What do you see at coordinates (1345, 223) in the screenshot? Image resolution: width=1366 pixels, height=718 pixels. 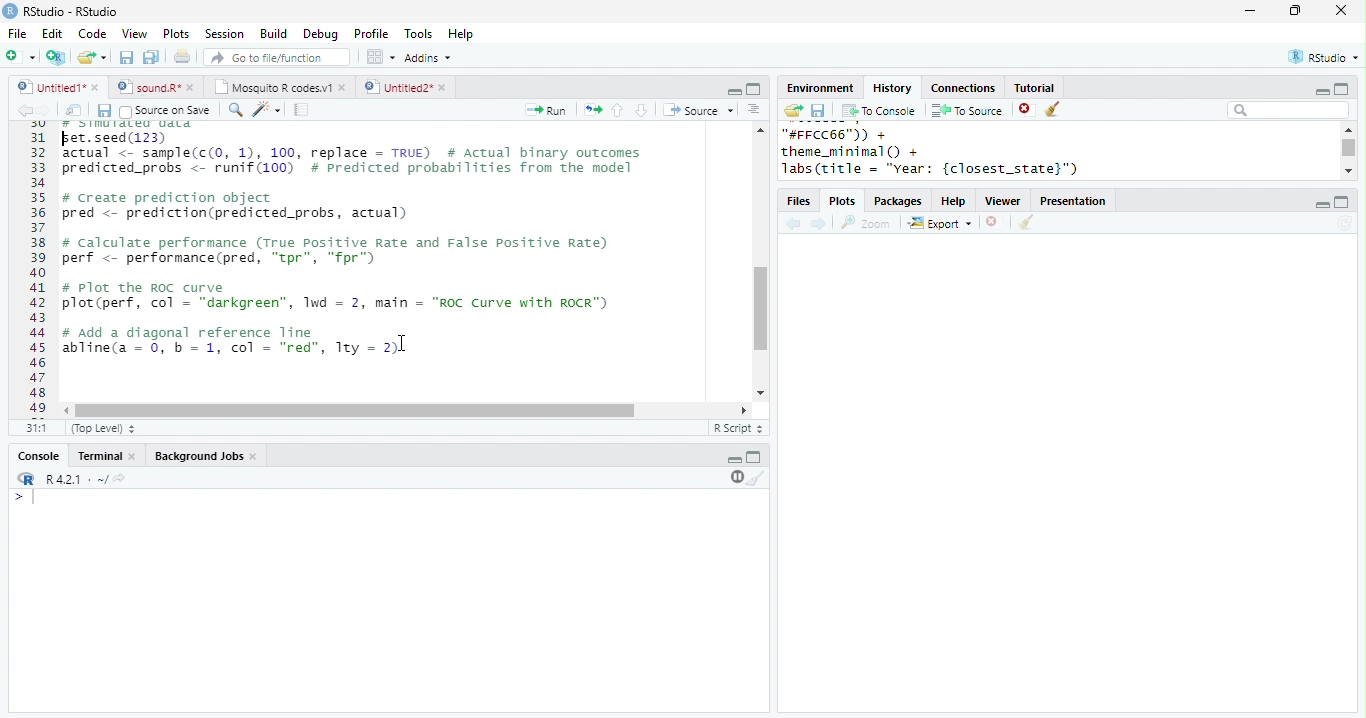 I see `refresh` at bounding box center [1345, 223].